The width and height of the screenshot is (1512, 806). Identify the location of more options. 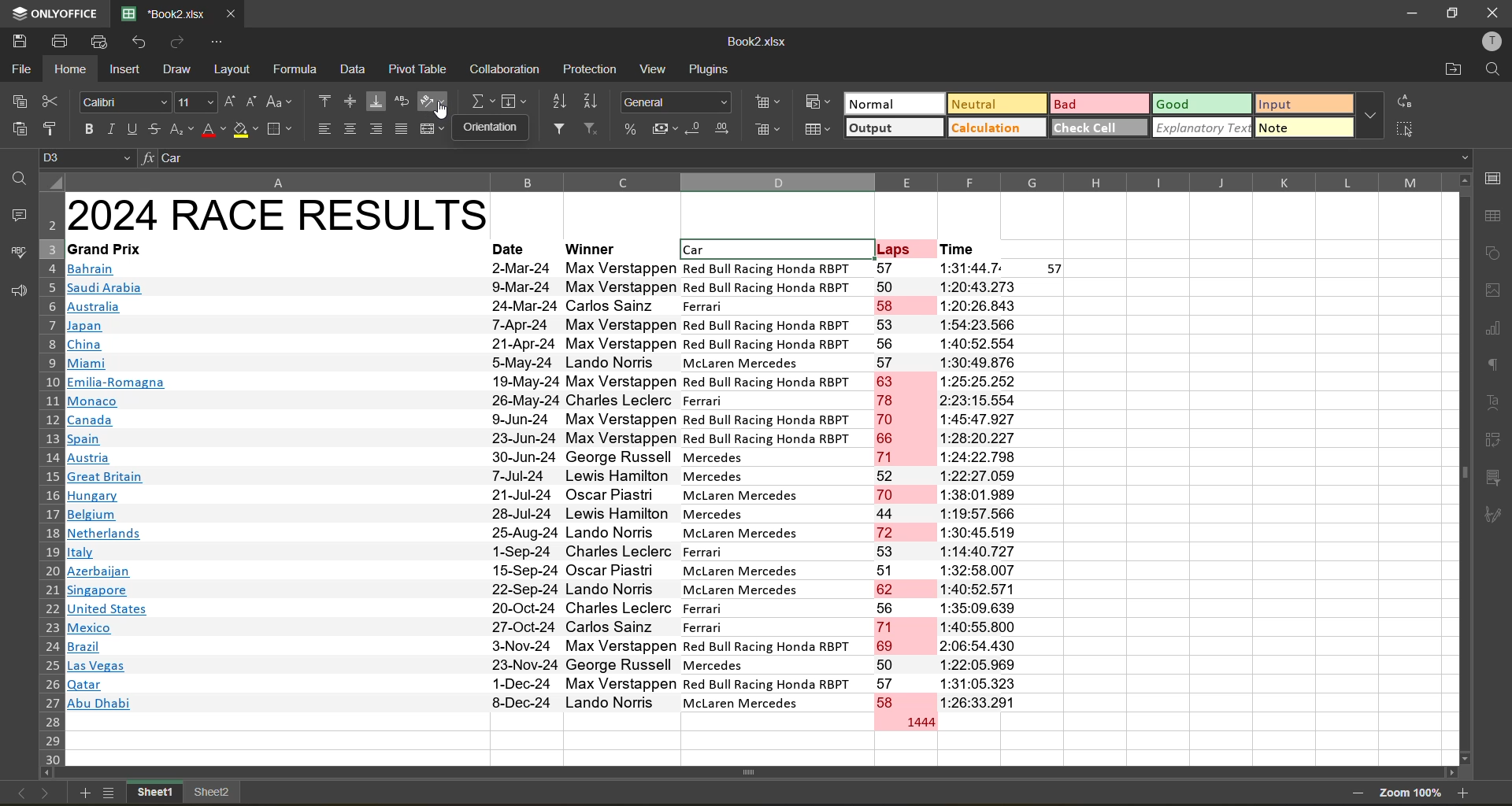
(1372, 116).